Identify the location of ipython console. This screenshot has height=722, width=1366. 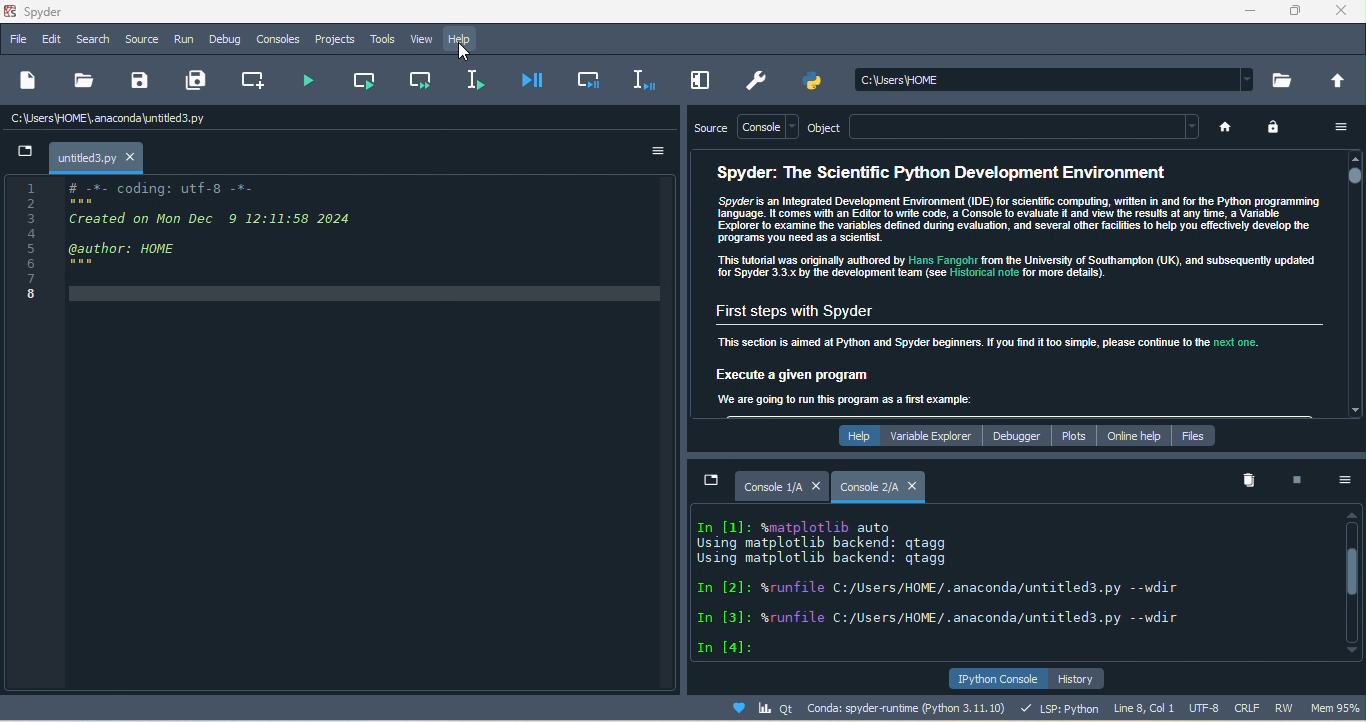
(996, 678).